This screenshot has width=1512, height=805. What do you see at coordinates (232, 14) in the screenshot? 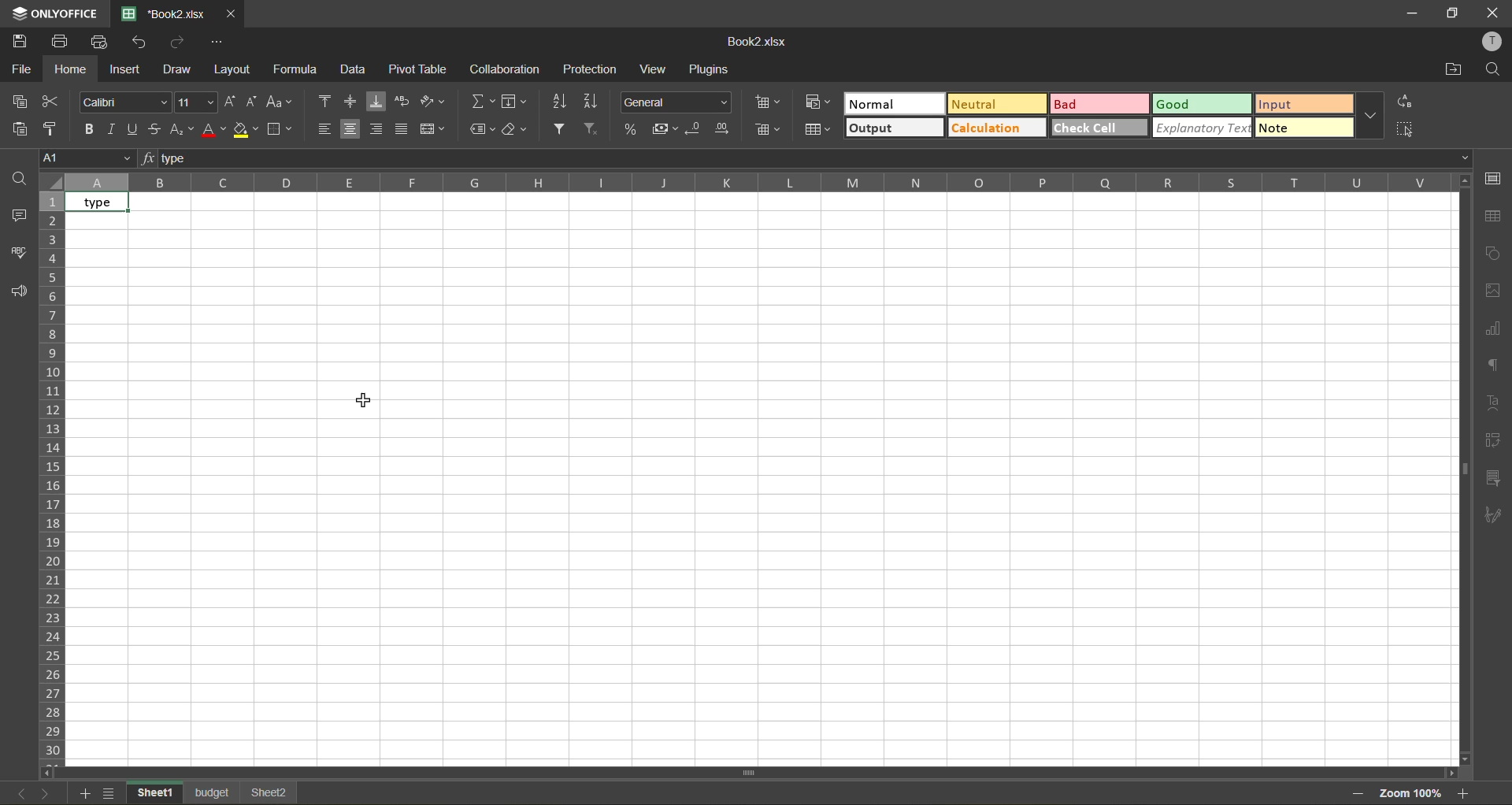
I see `close tab` at bounding box center [232, 14].